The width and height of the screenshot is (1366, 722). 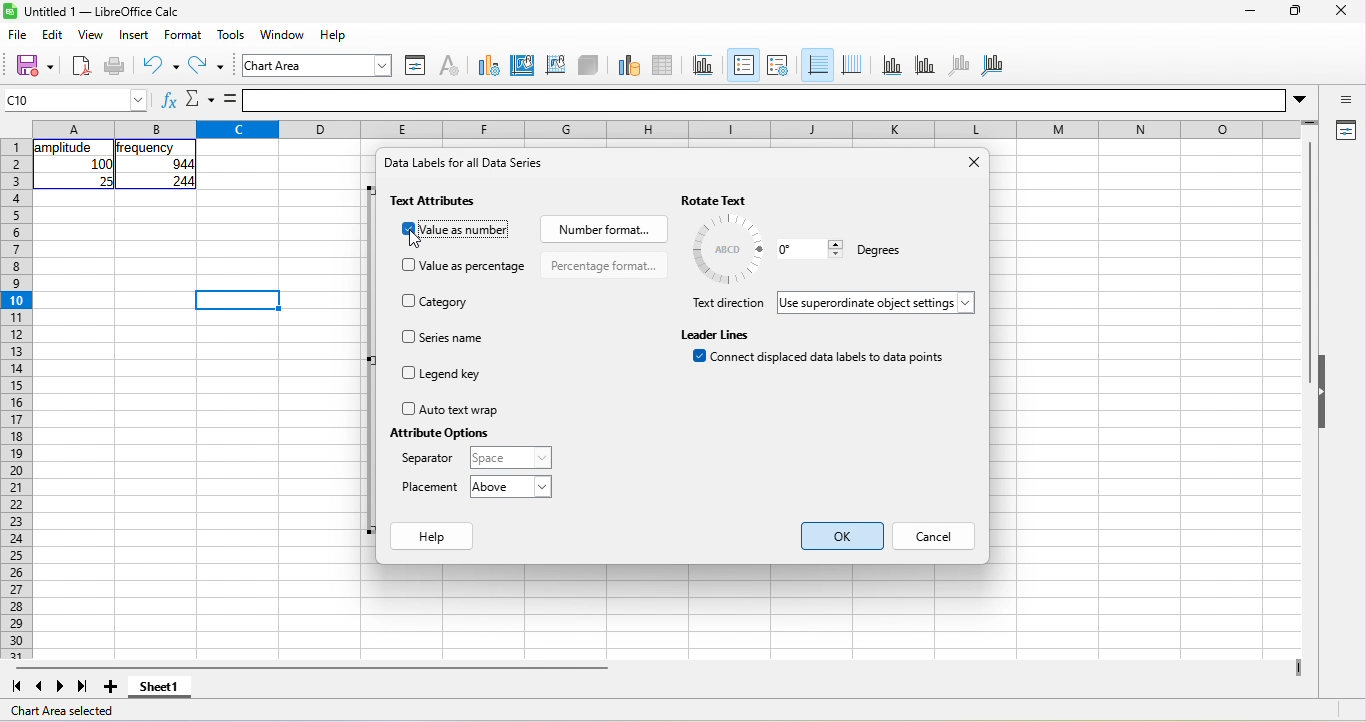 I want to click on vertical grids, so click(x=852, y=65).